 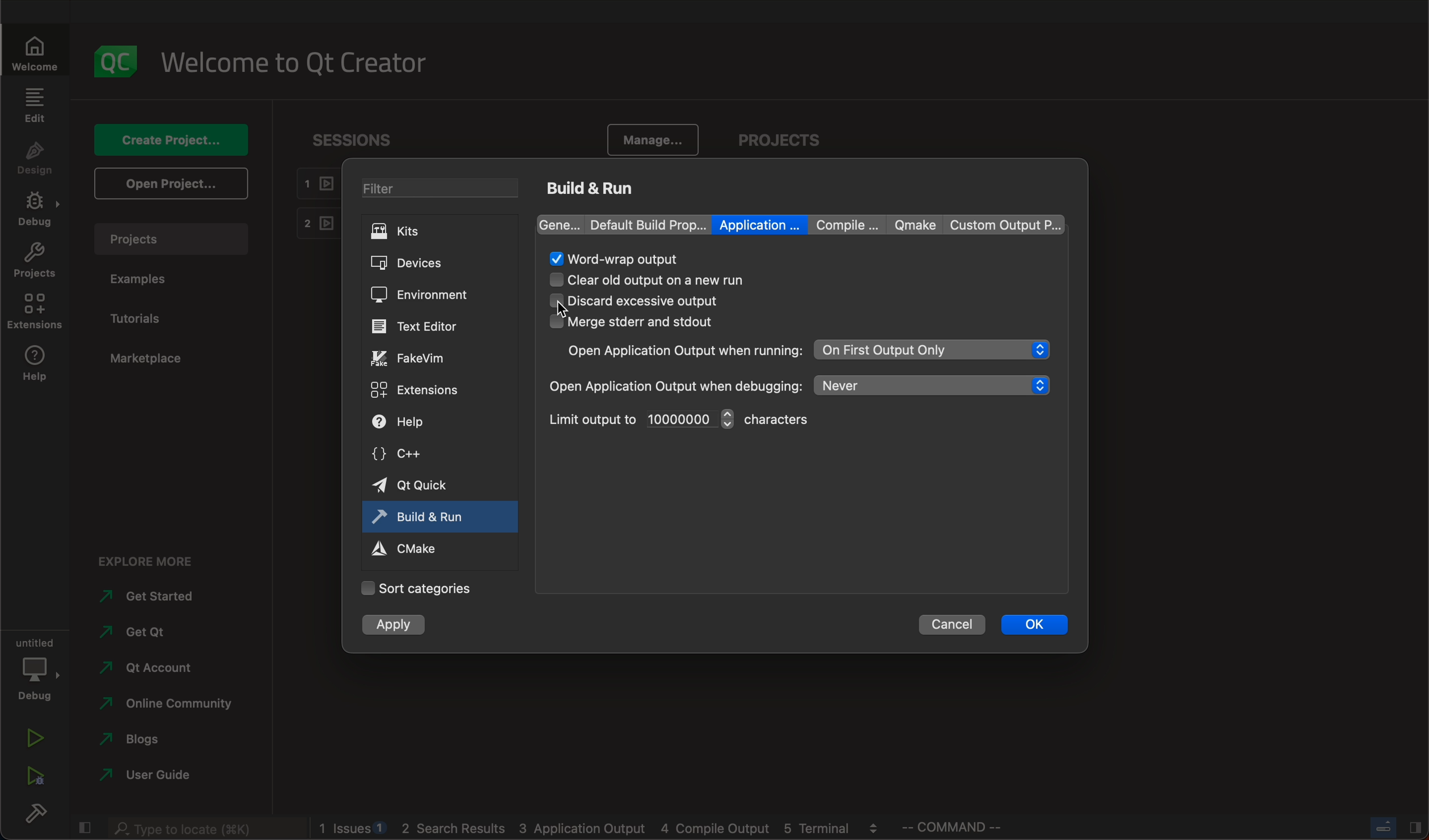 I want to click on build, so click(x=39, y=816).